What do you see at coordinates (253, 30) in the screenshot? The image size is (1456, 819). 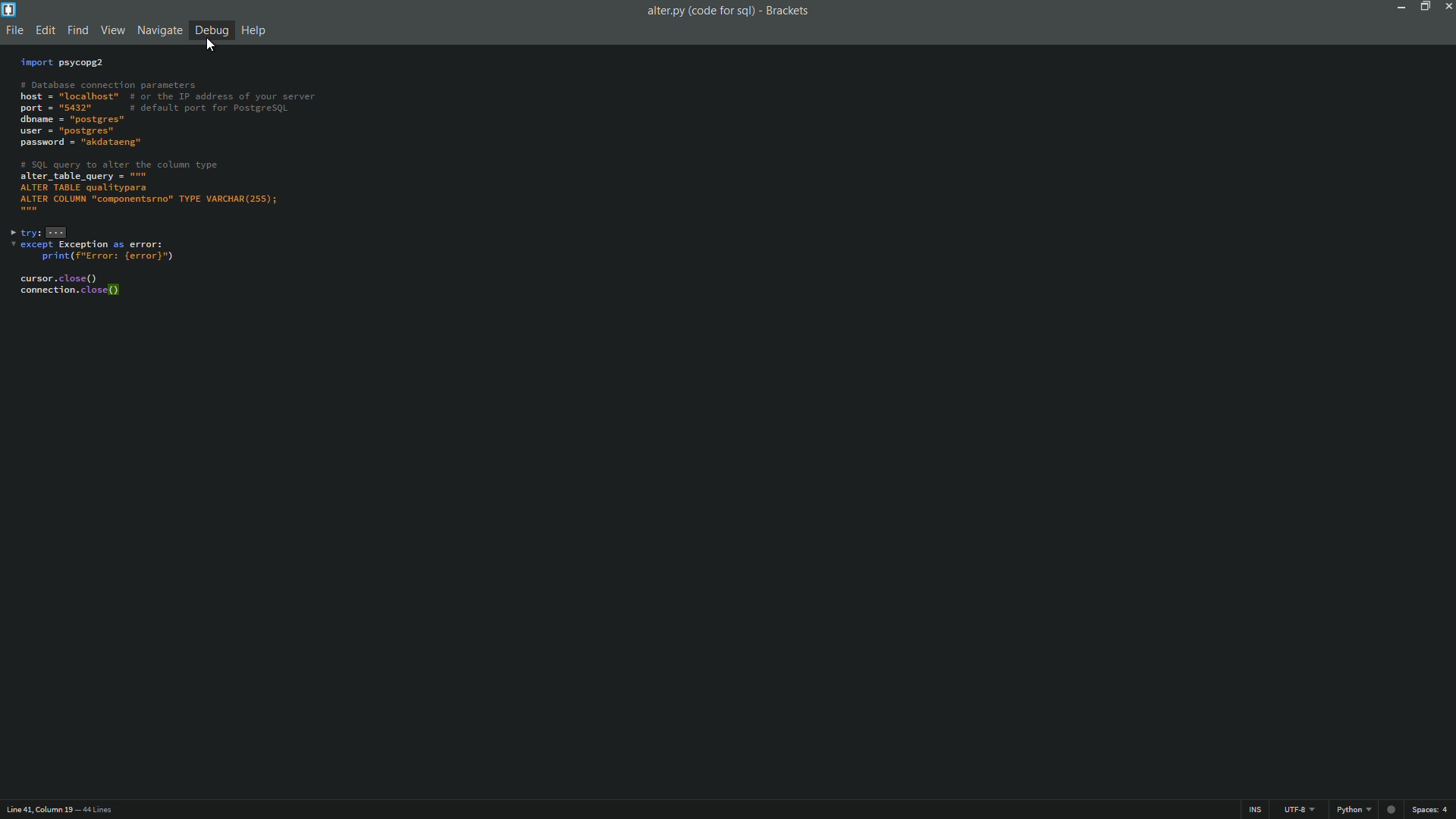 I see `help menu` at bounding box center [253, 30].